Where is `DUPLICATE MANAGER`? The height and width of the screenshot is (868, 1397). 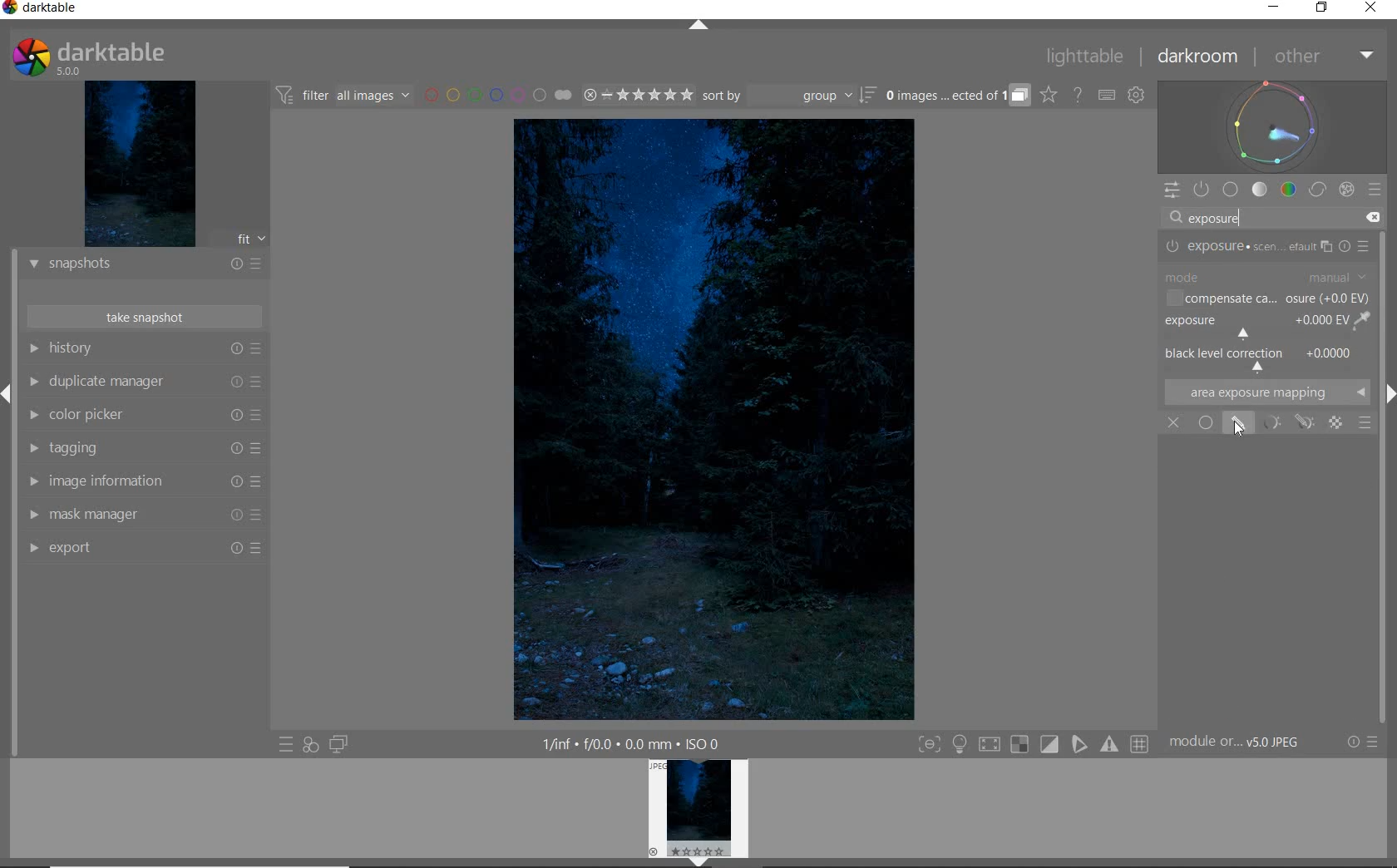 DUPLICATE MANAGER is located at coordinates (143, 382).